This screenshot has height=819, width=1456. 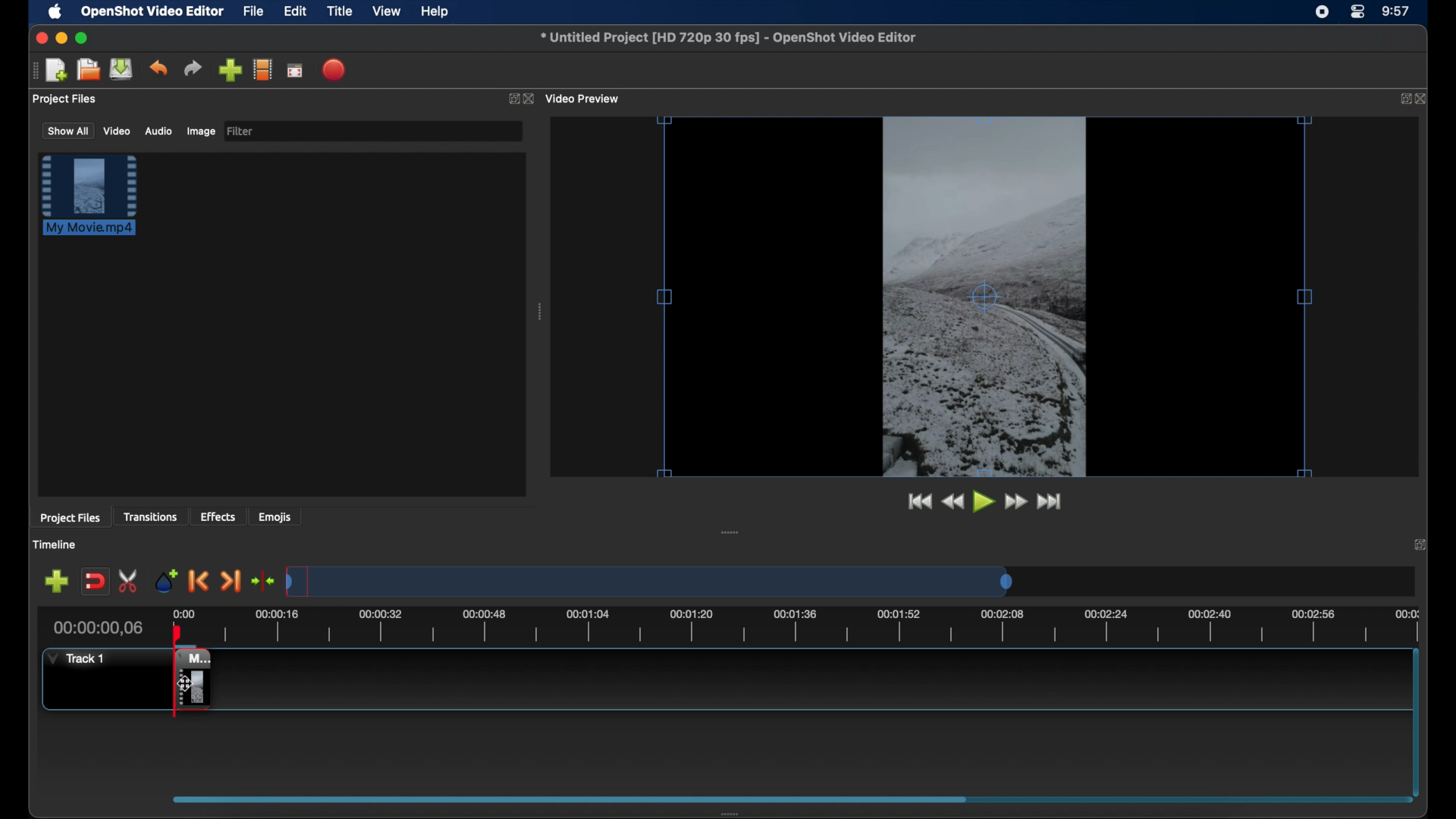 What do you see at coordinates (1050, 501) in the screenshot?
I see `jumpt to  end` at bounding box center [1050, 501].